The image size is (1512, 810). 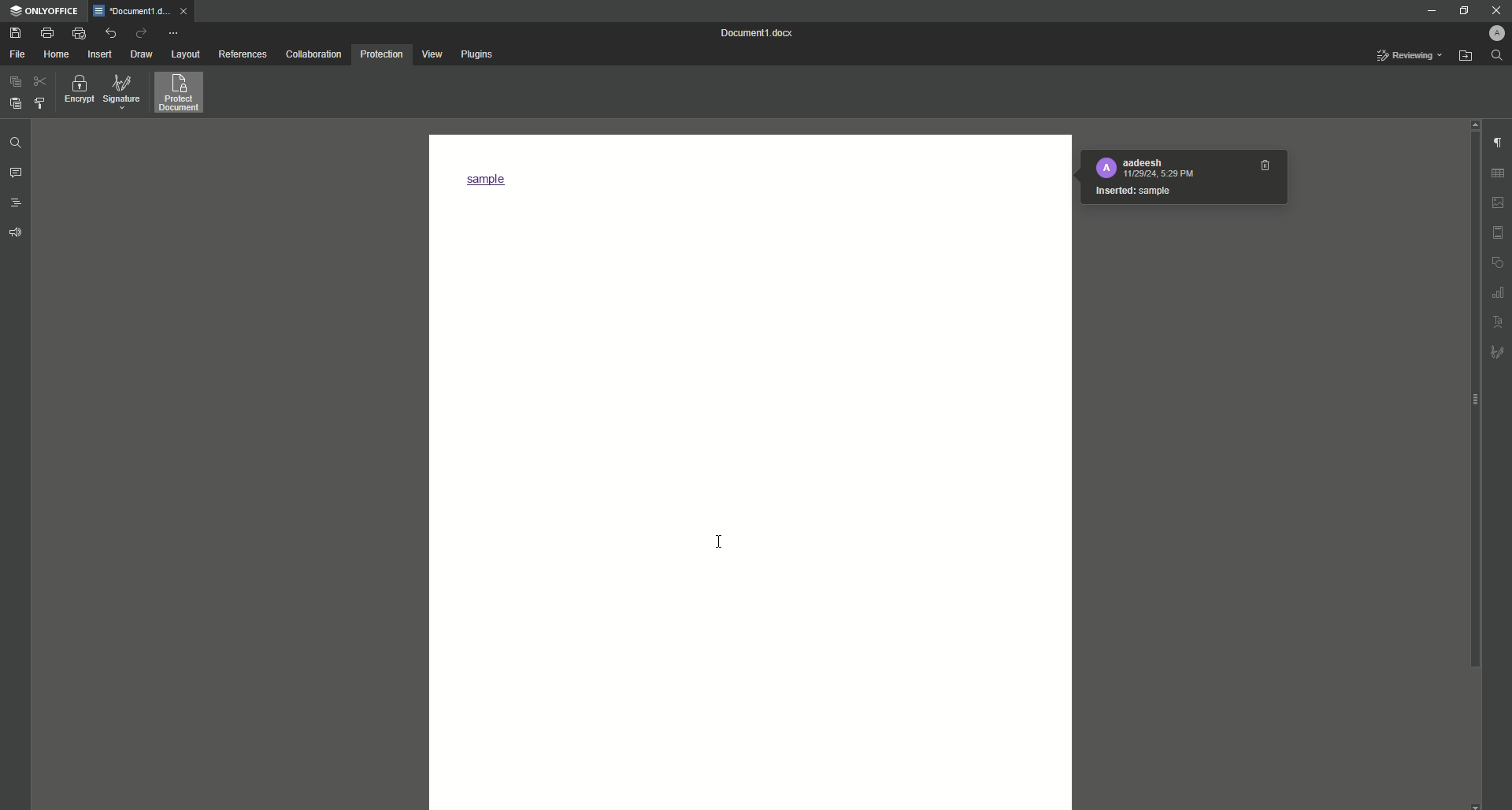 I want to click on Protection, so click(x=381, y=55).